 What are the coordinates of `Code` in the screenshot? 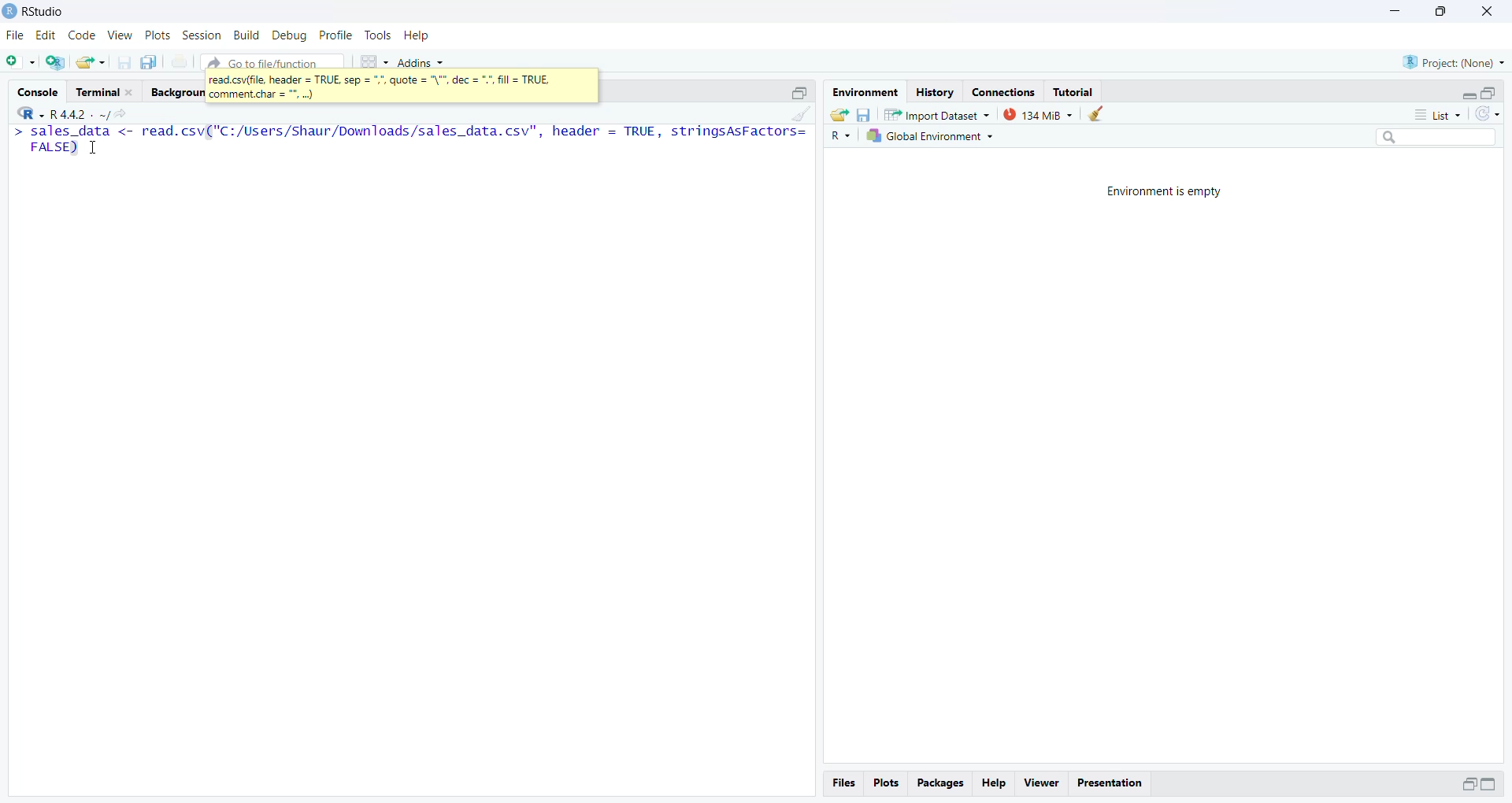 It's located at (83, 38).